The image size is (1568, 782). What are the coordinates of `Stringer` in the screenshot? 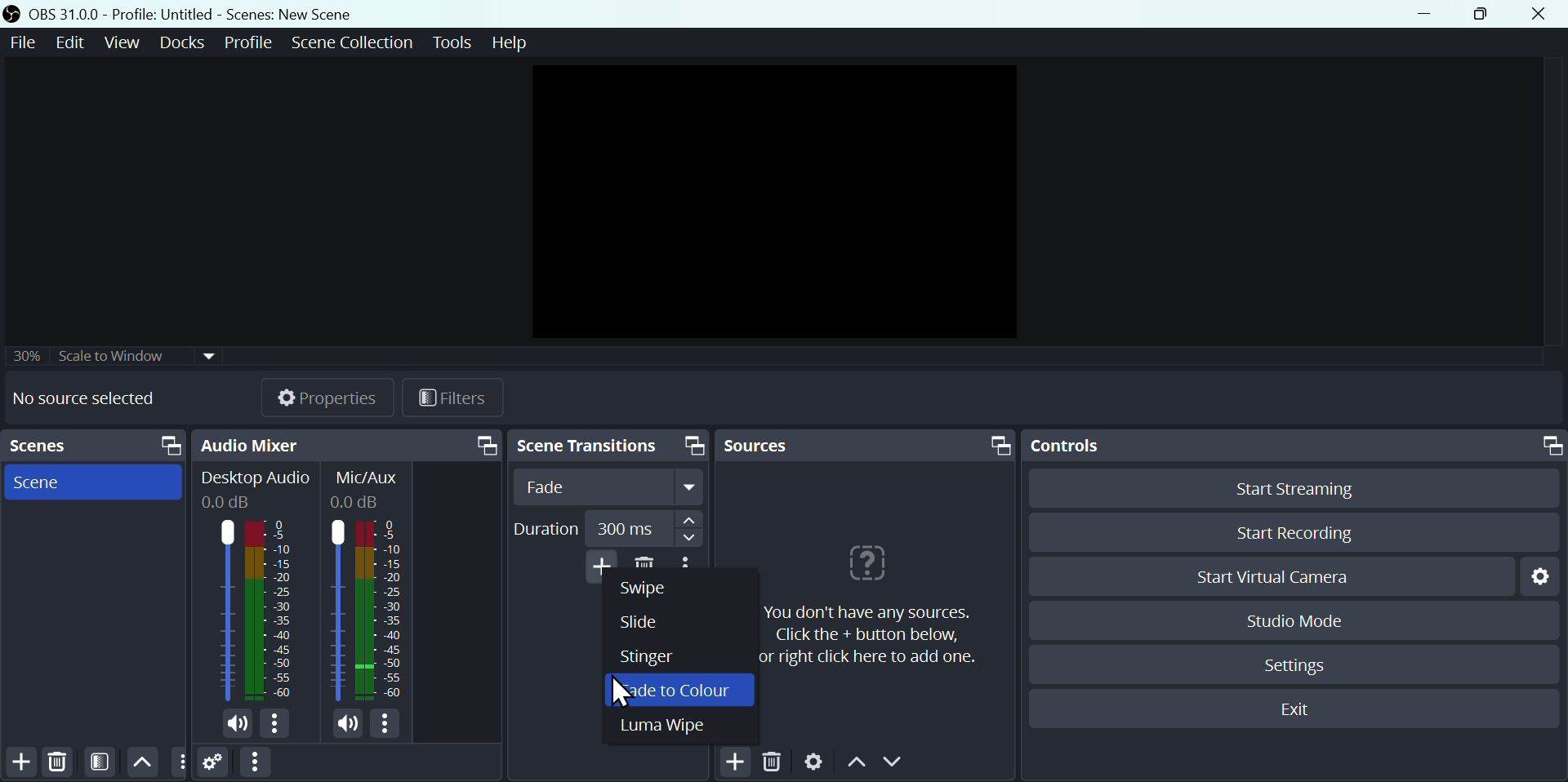 It's located at (655, 658).